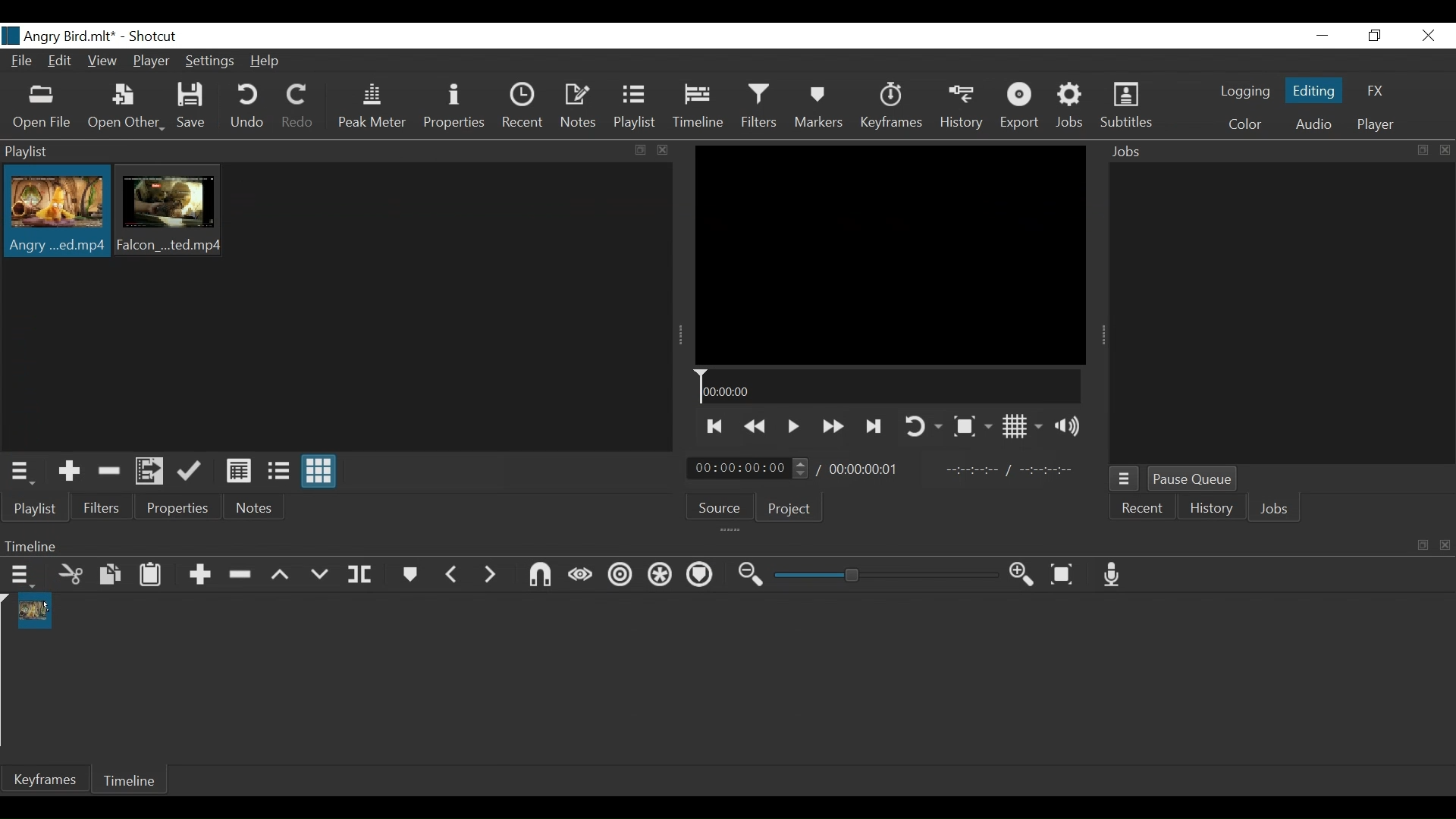 Image resolution: width=1456 pixels, height=819 pixels. I want to click on Clip, so click(33, 610).